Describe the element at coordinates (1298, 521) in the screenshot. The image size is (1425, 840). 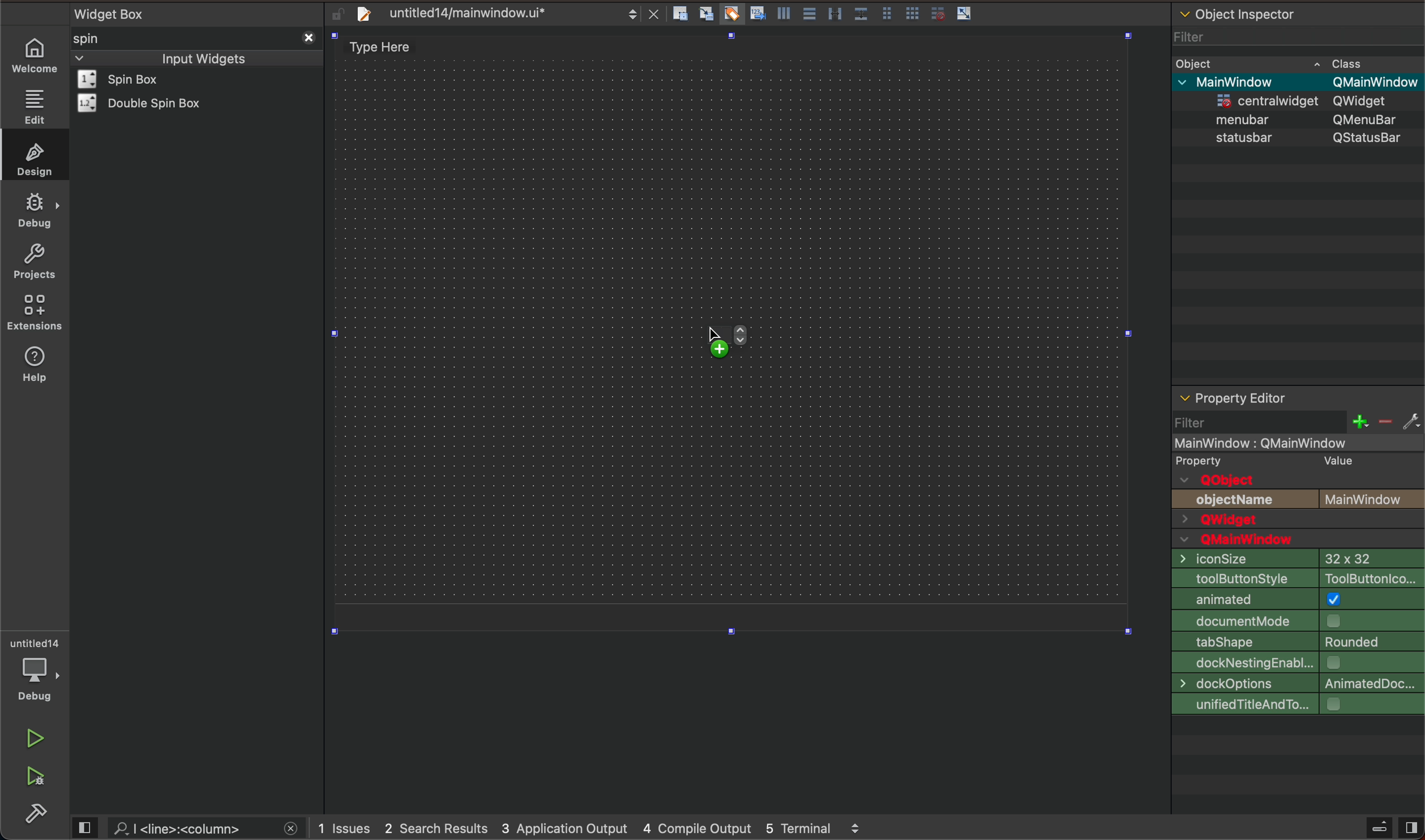
I see `qwidget` at that location.